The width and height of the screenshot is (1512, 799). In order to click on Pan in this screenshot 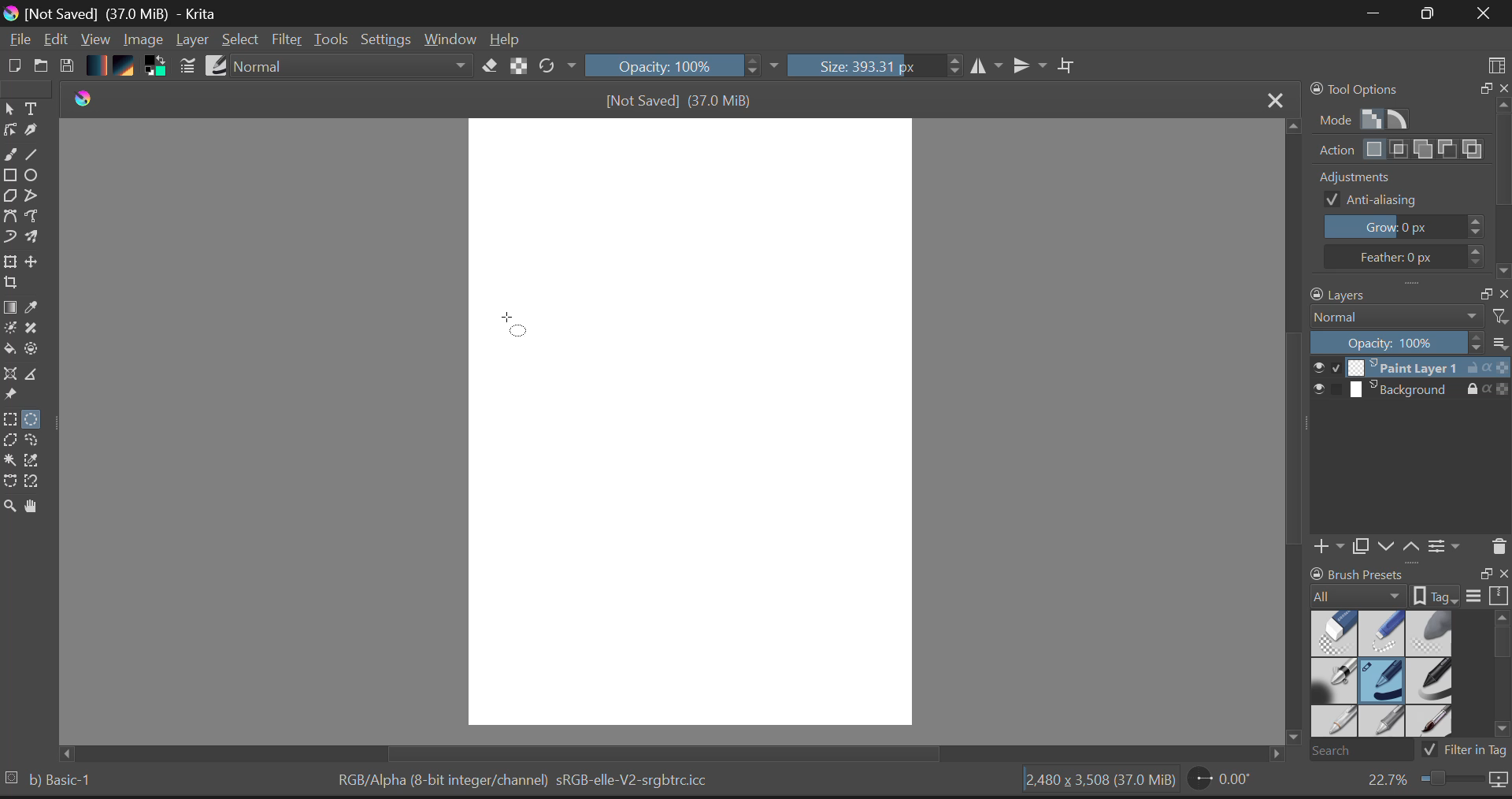, I will do `click(35, 507)`.